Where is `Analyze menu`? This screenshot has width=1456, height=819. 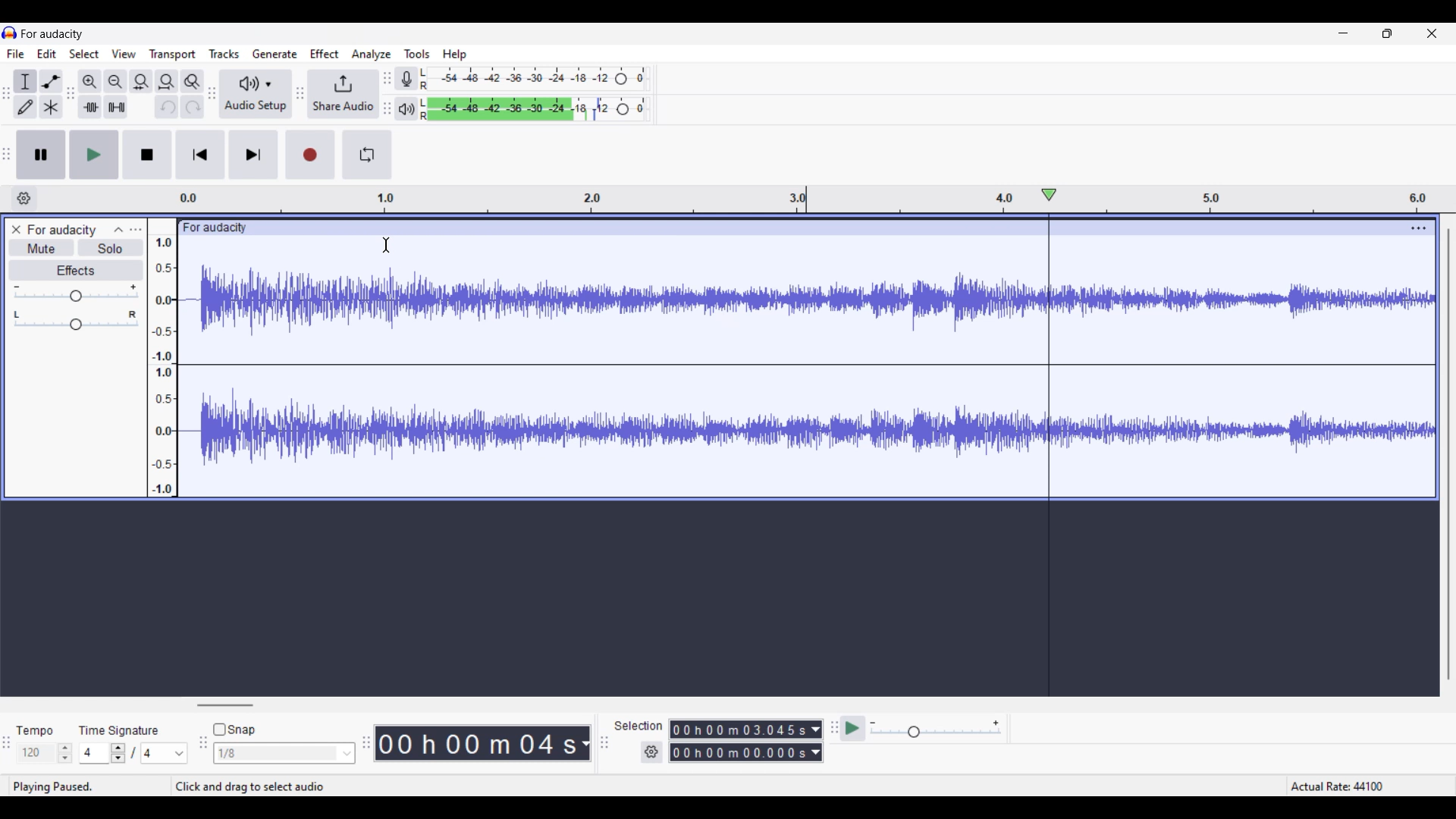
Analyze menu is located at coordinates (371, 55).